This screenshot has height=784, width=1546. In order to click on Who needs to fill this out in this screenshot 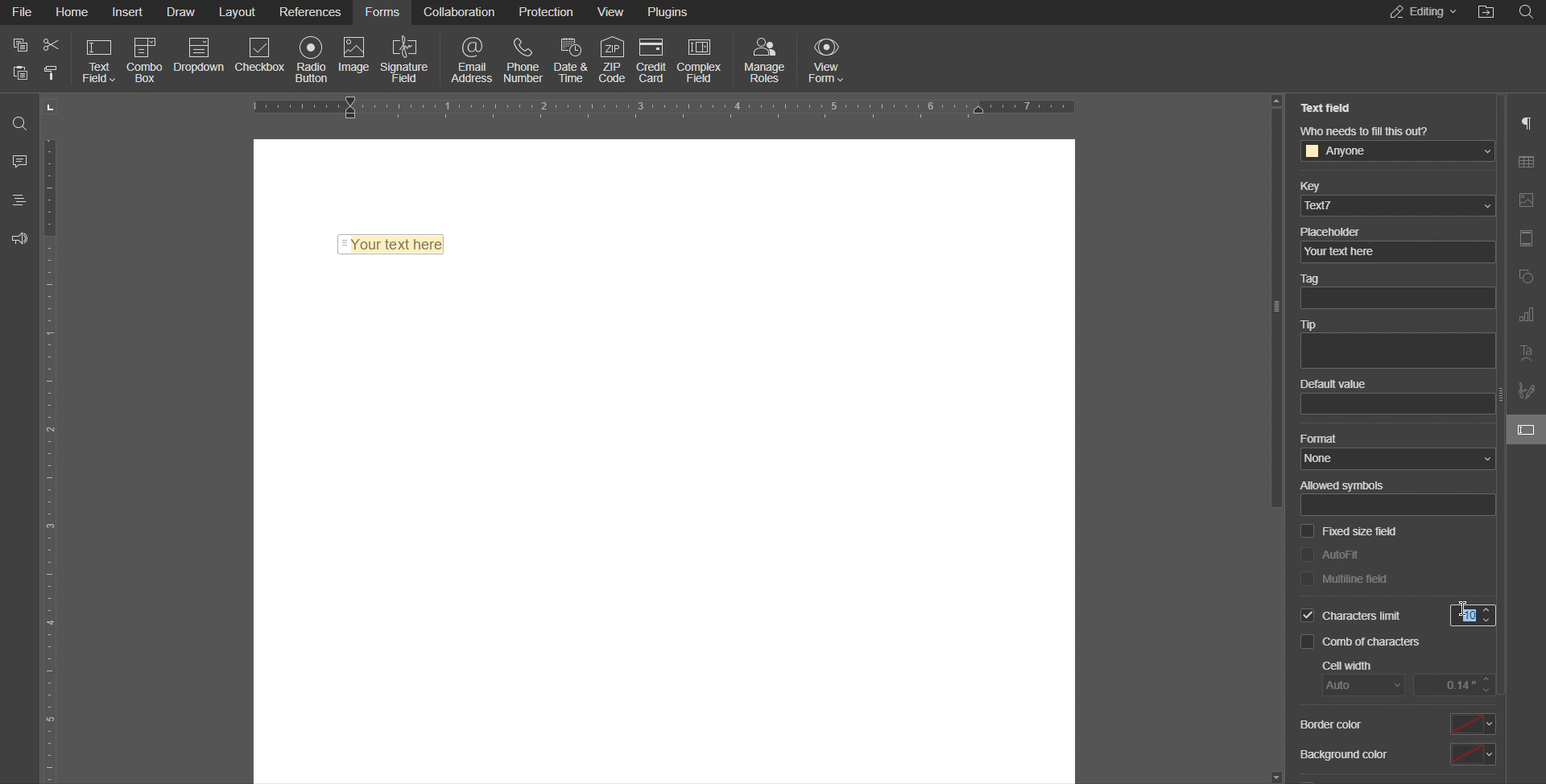, I will do `click(1401, 143)`.